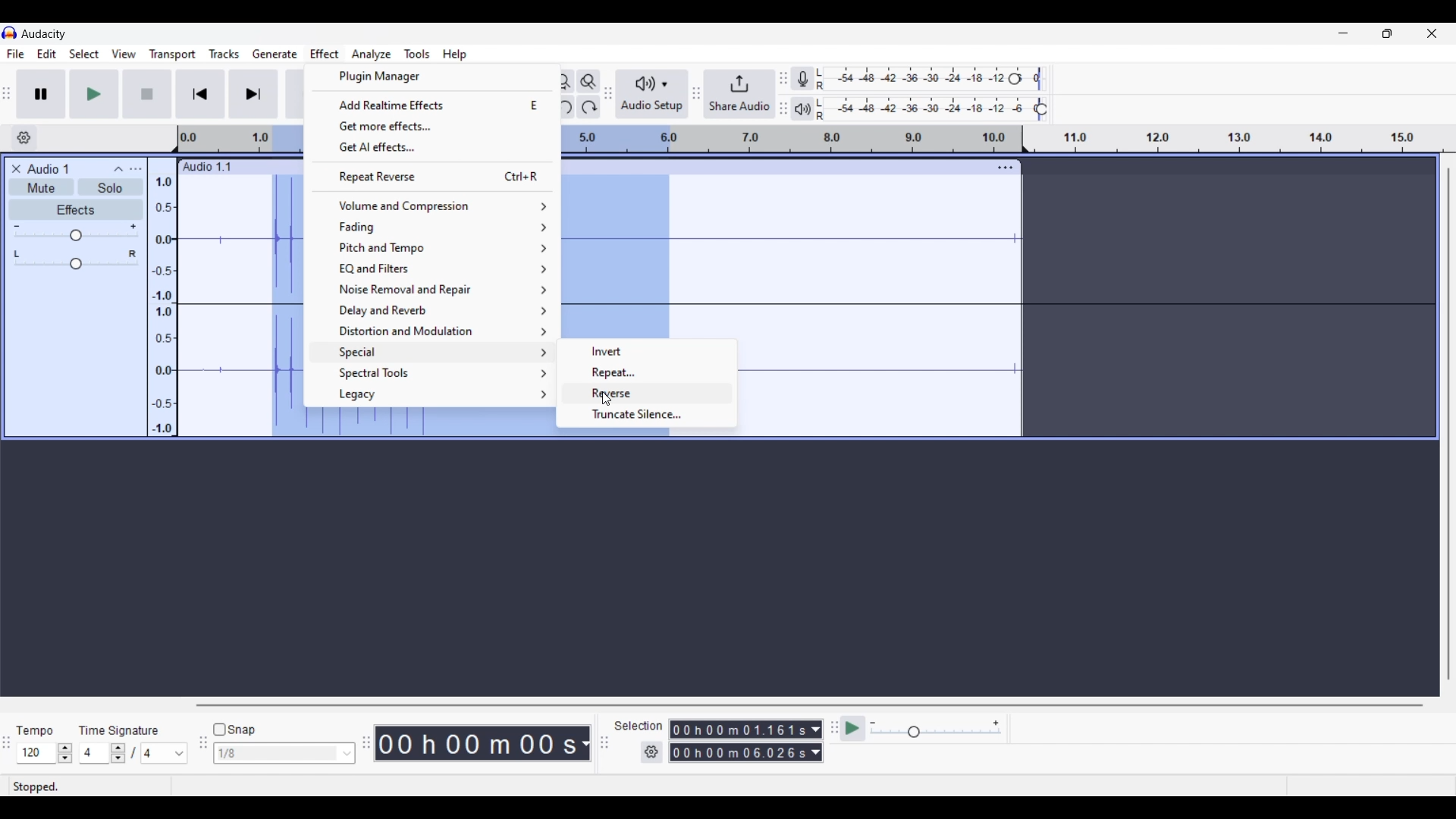 The height and width of the screenshot is (819, 1456). Describe the element at coordinates (253, 93) in the screenshot. I see `Skip/Select to end` at that location.